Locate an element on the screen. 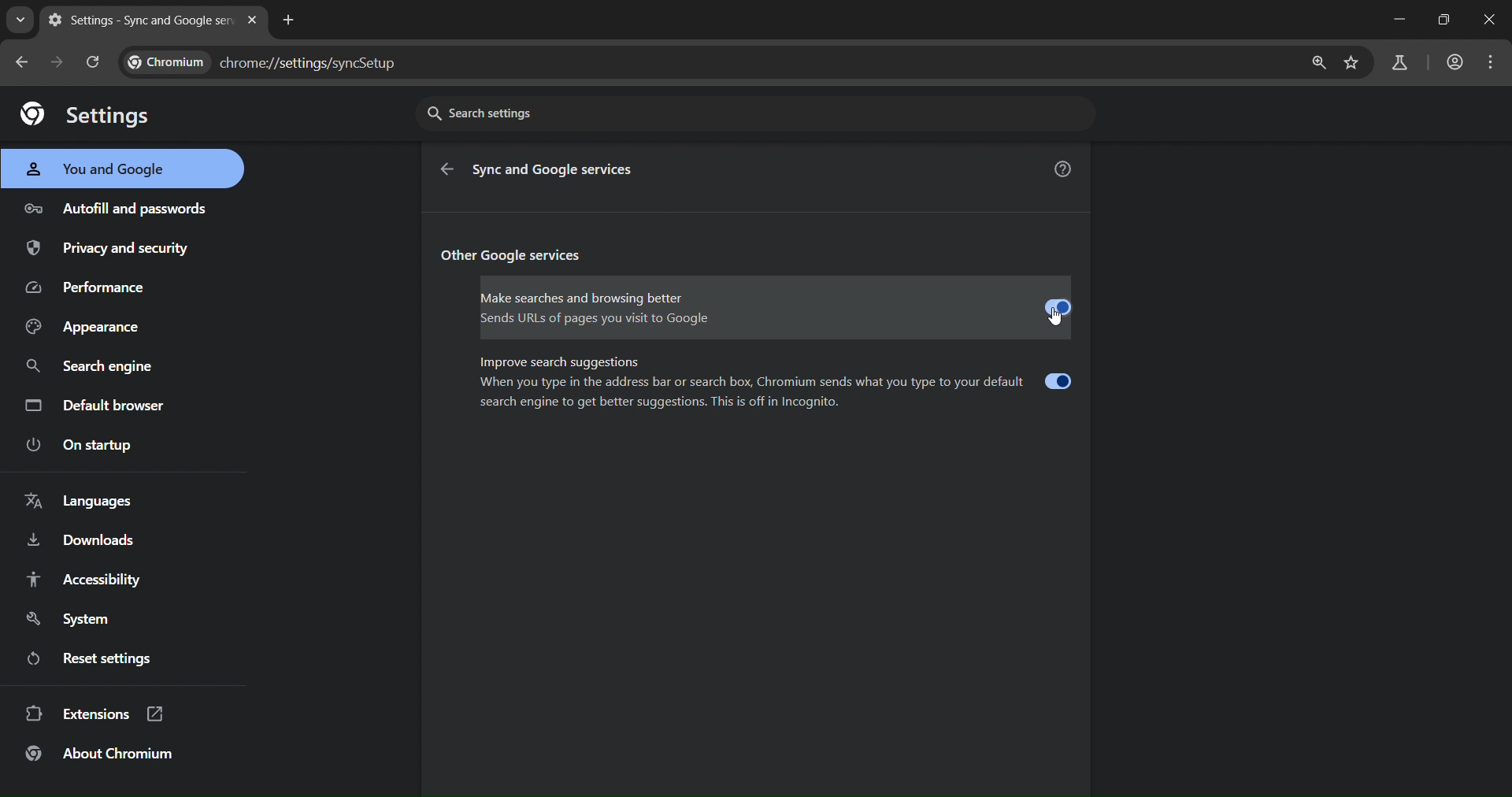  Seeting - Sync and Google is located at coordinates (141, 20).